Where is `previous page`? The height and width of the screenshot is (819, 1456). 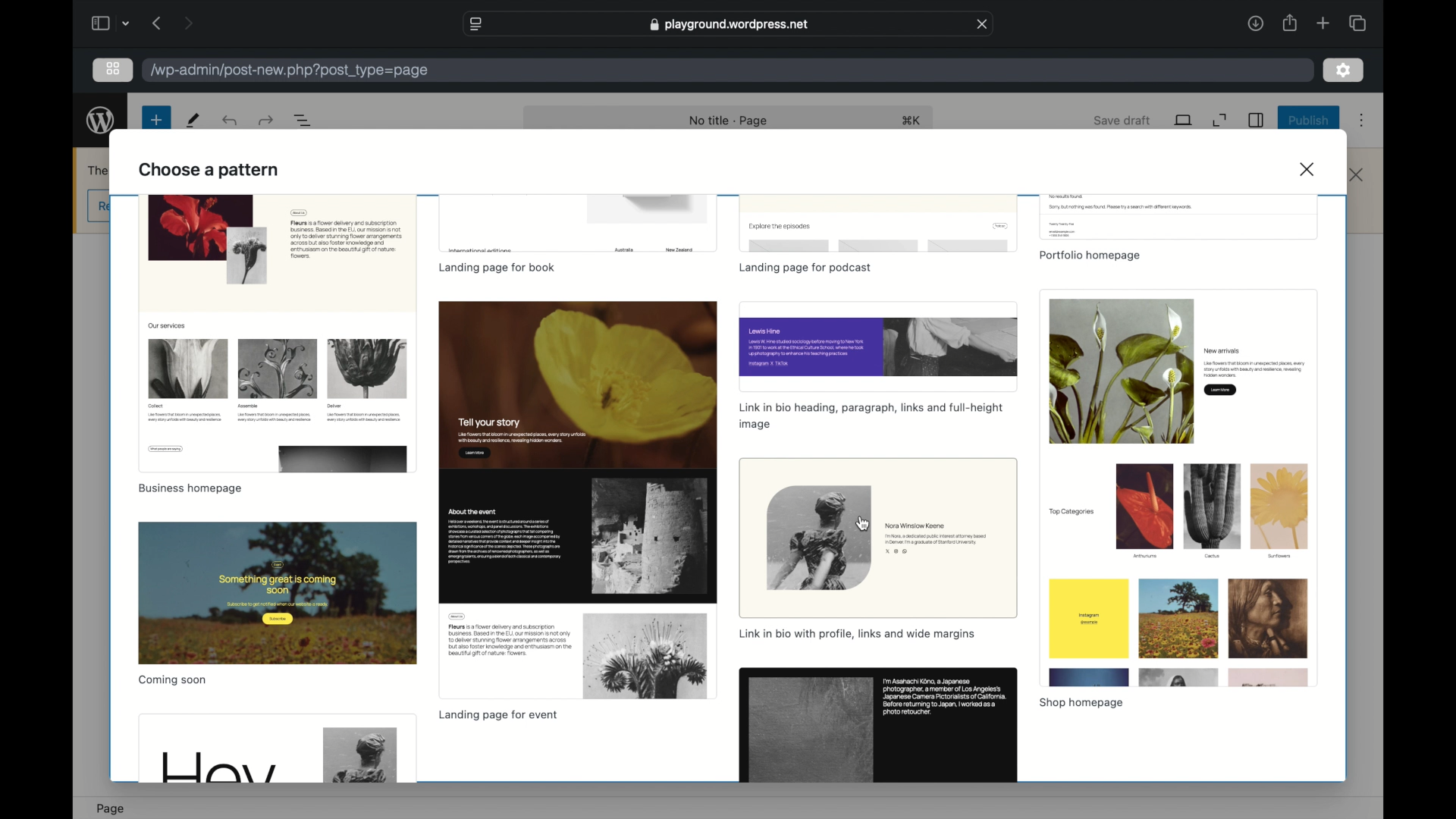 previous page is located at coordinates (158, 23).